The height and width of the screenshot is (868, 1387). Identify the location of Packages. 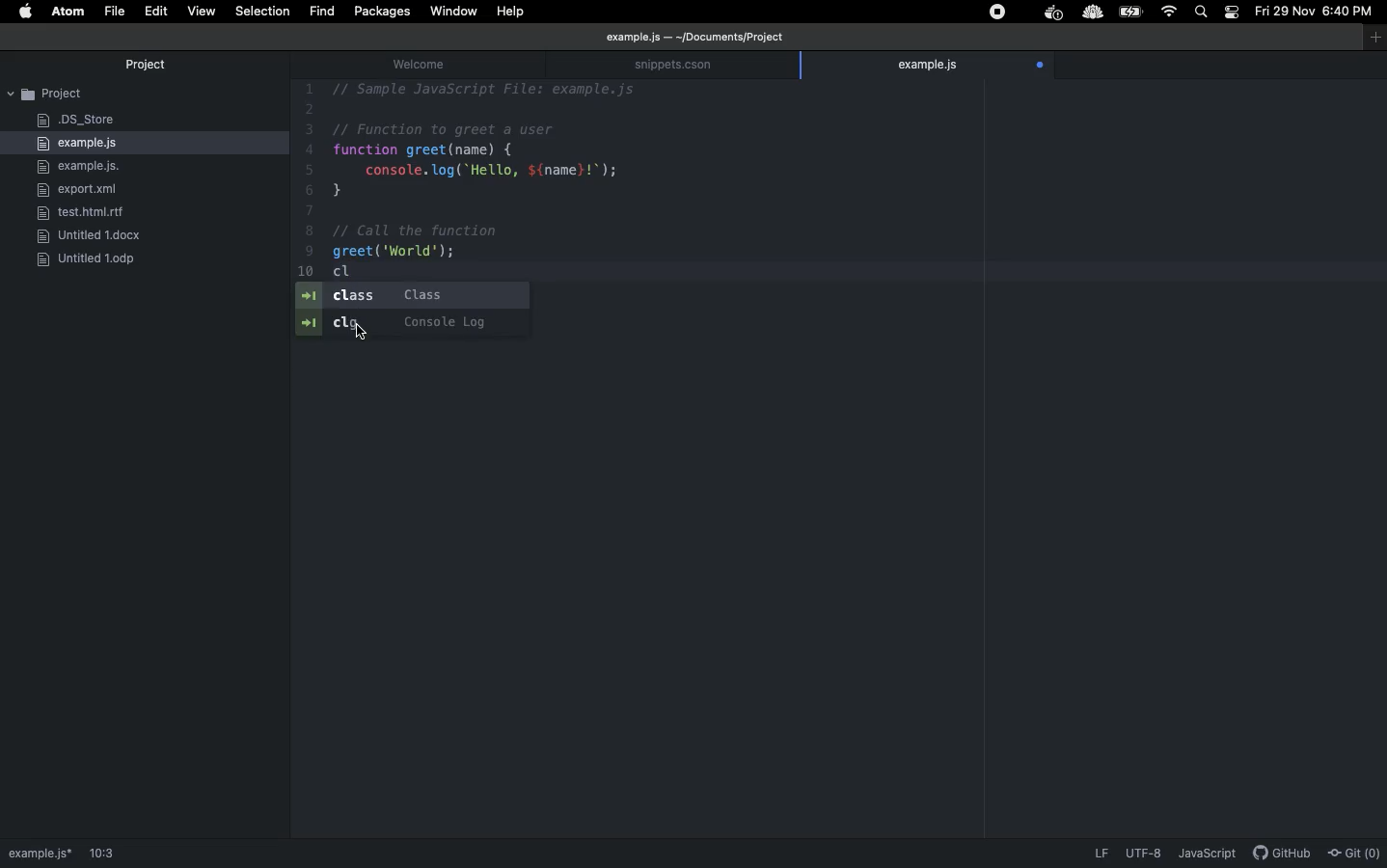
(385, 14).